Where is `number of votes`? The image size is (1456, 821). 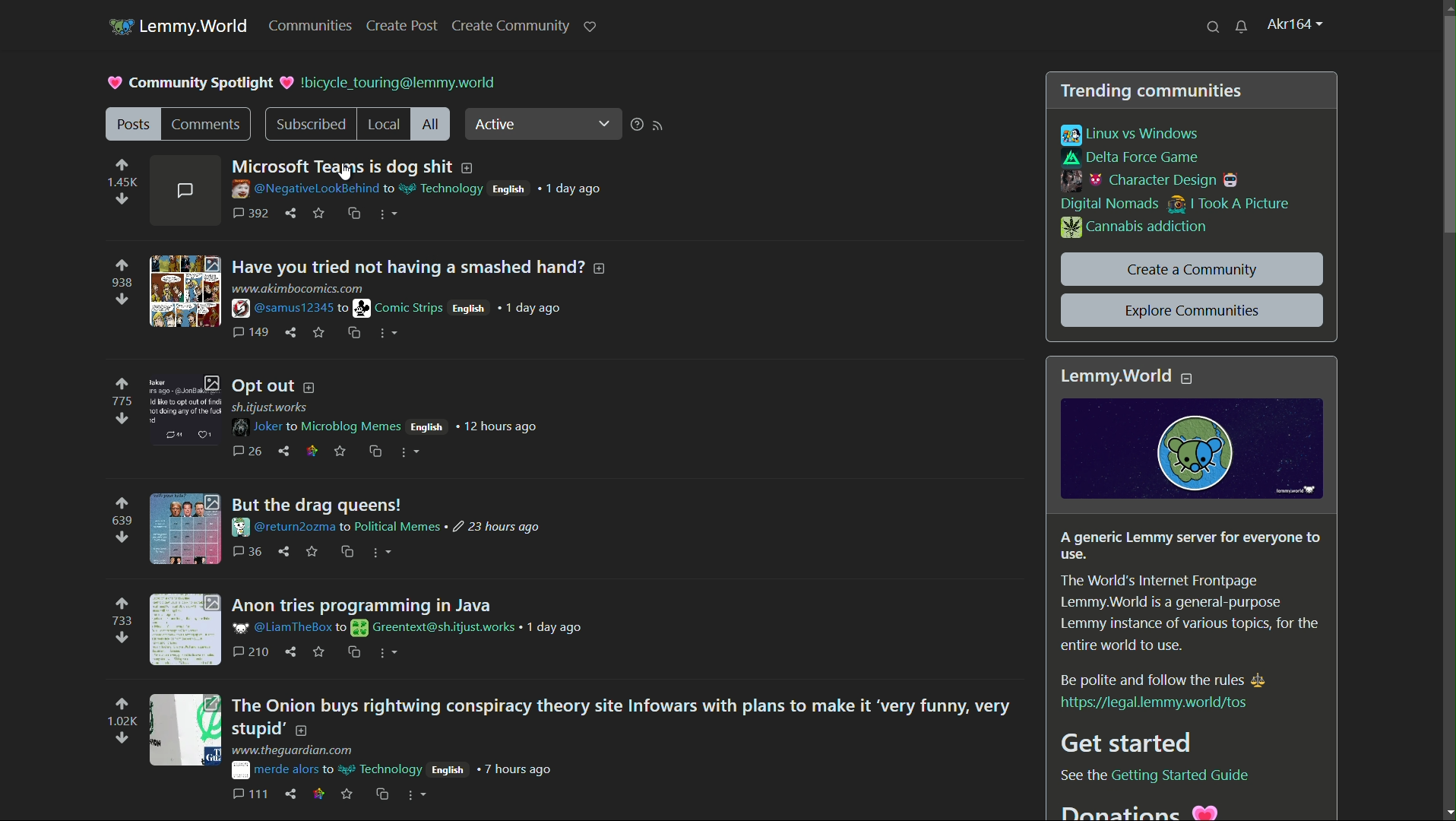
number of votes is located at coordinates (123, 184).